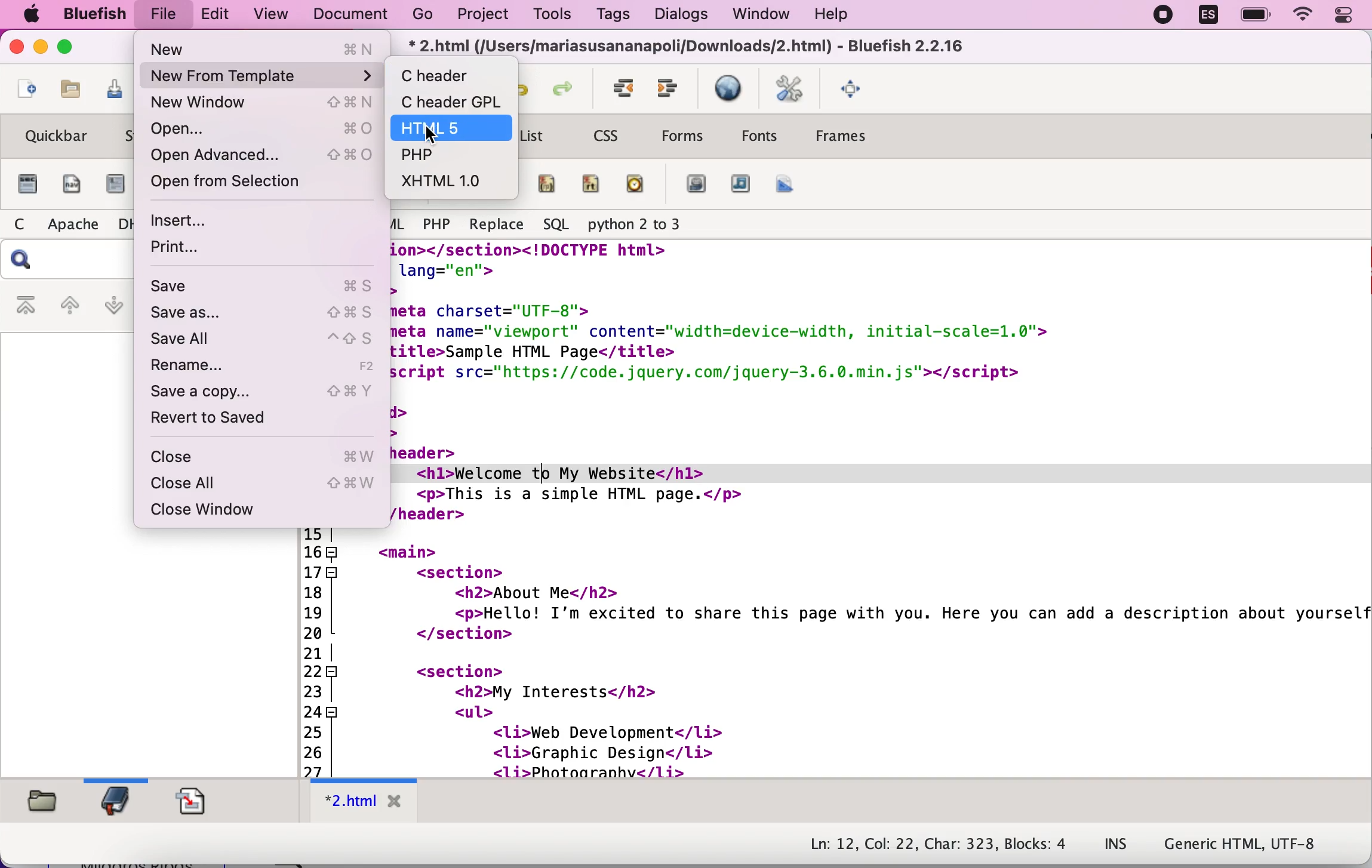 The width and height of the screenshot is (1372, 868). Describe the element at coordinates (42, 47) in the screenshot. I see `minimize` at that location.